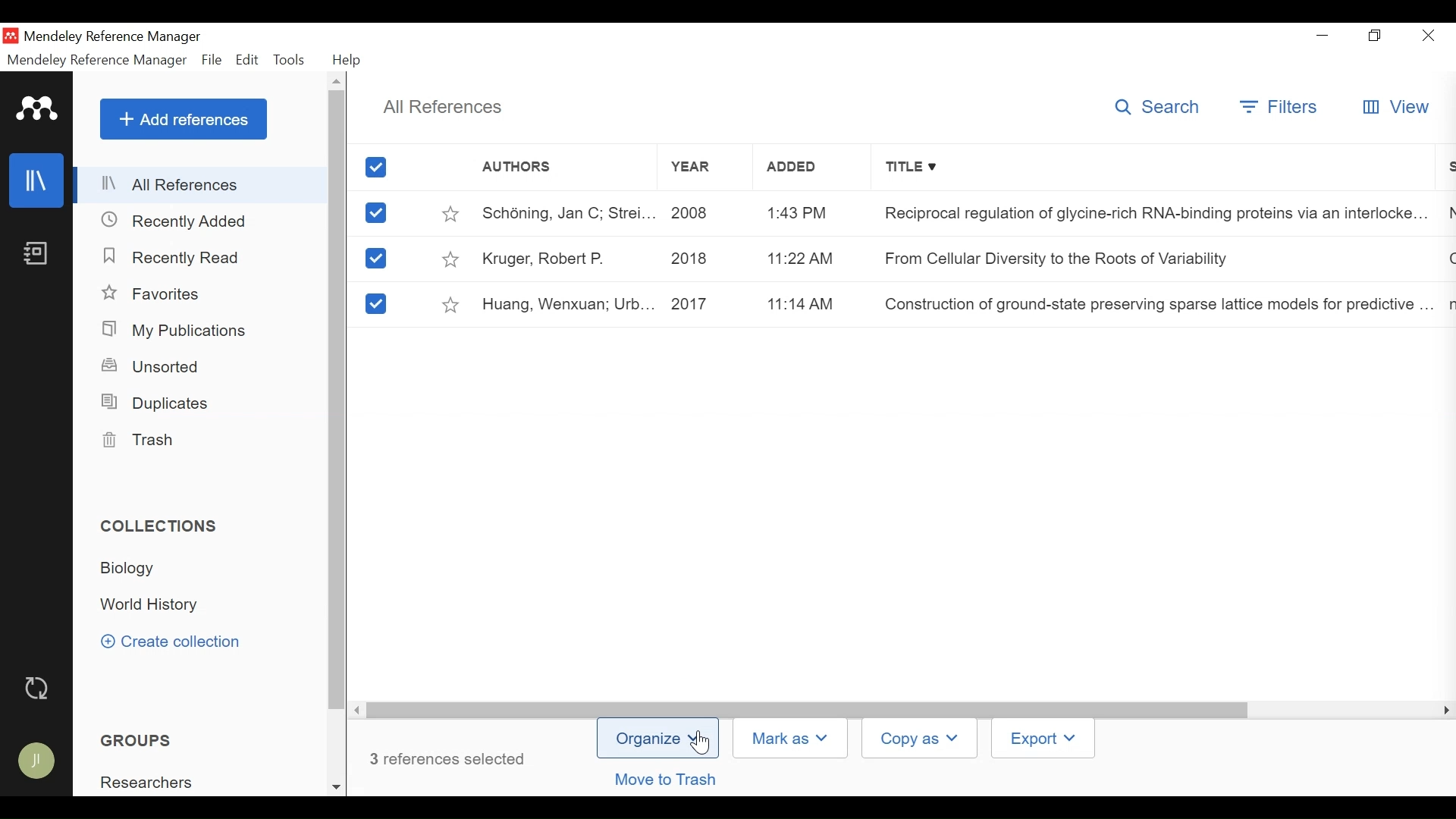  I want to click on Move To trash, so click(681, 780).